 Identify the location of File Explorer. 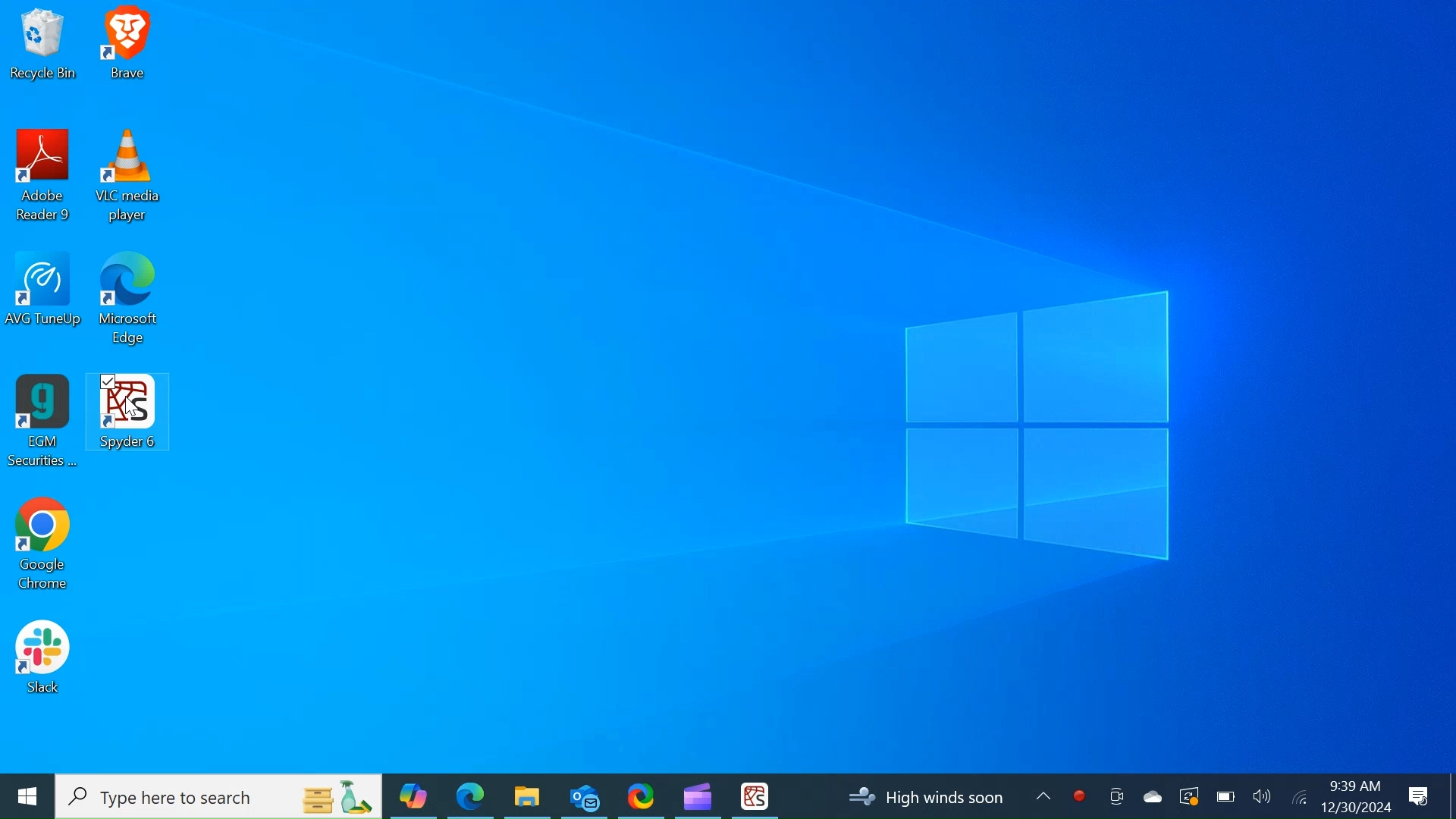
(526, 795).